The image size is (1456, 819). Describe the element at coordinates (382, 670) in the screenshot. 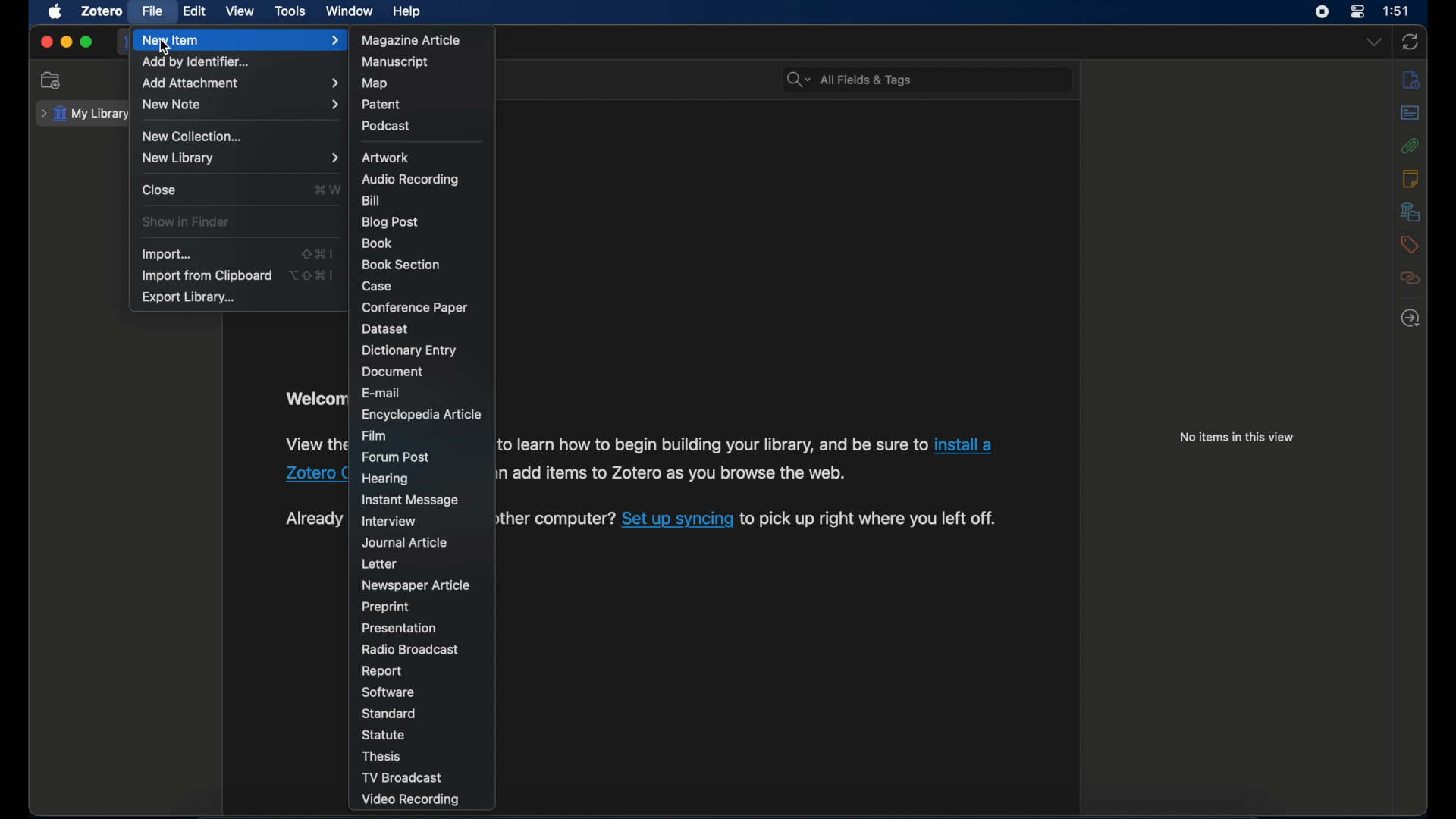

I see `report` at that location.